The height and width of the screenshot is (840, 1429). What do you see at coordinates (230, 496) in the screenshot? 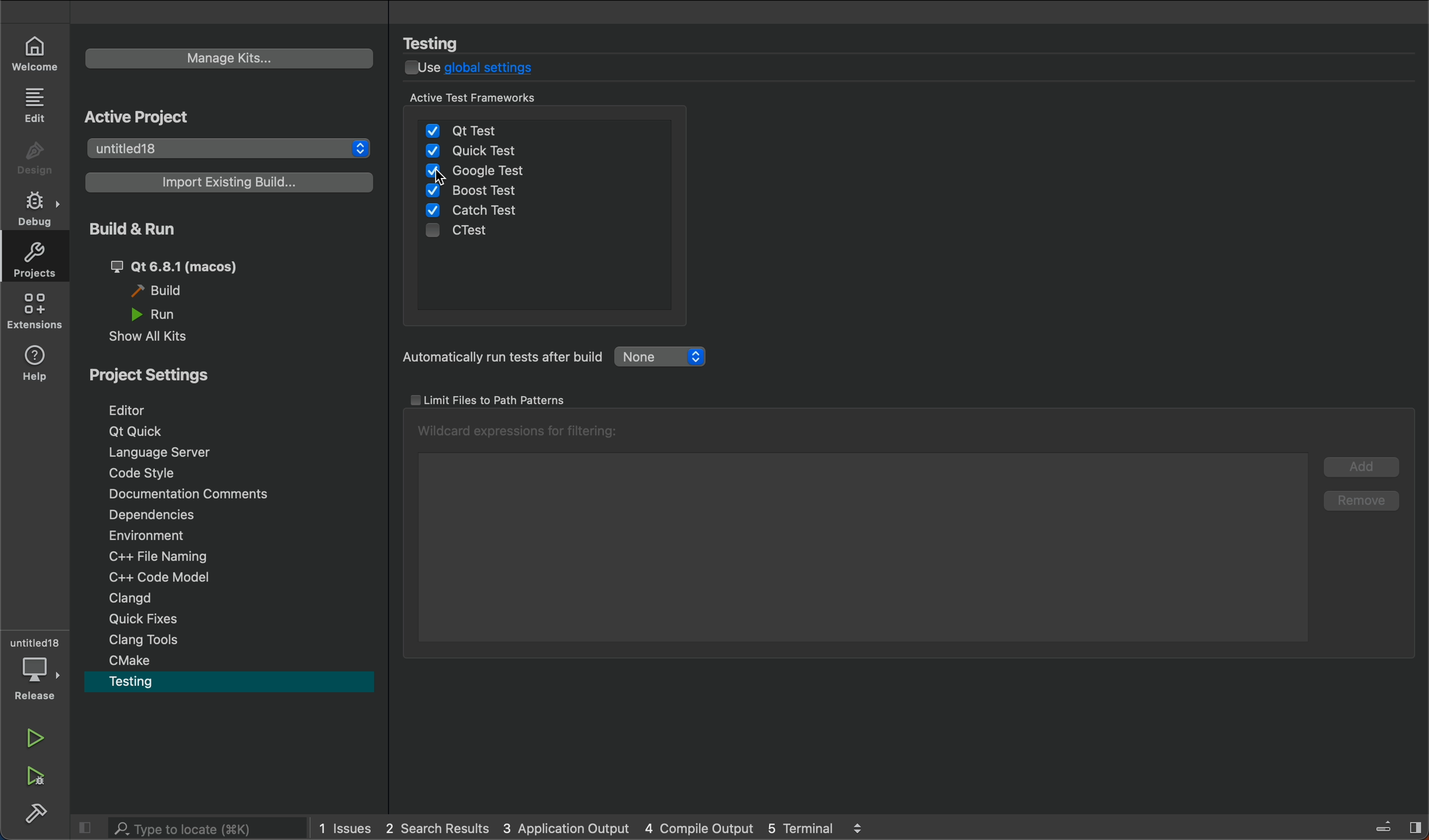
I see `commnets` at bounding box center [230, 496].